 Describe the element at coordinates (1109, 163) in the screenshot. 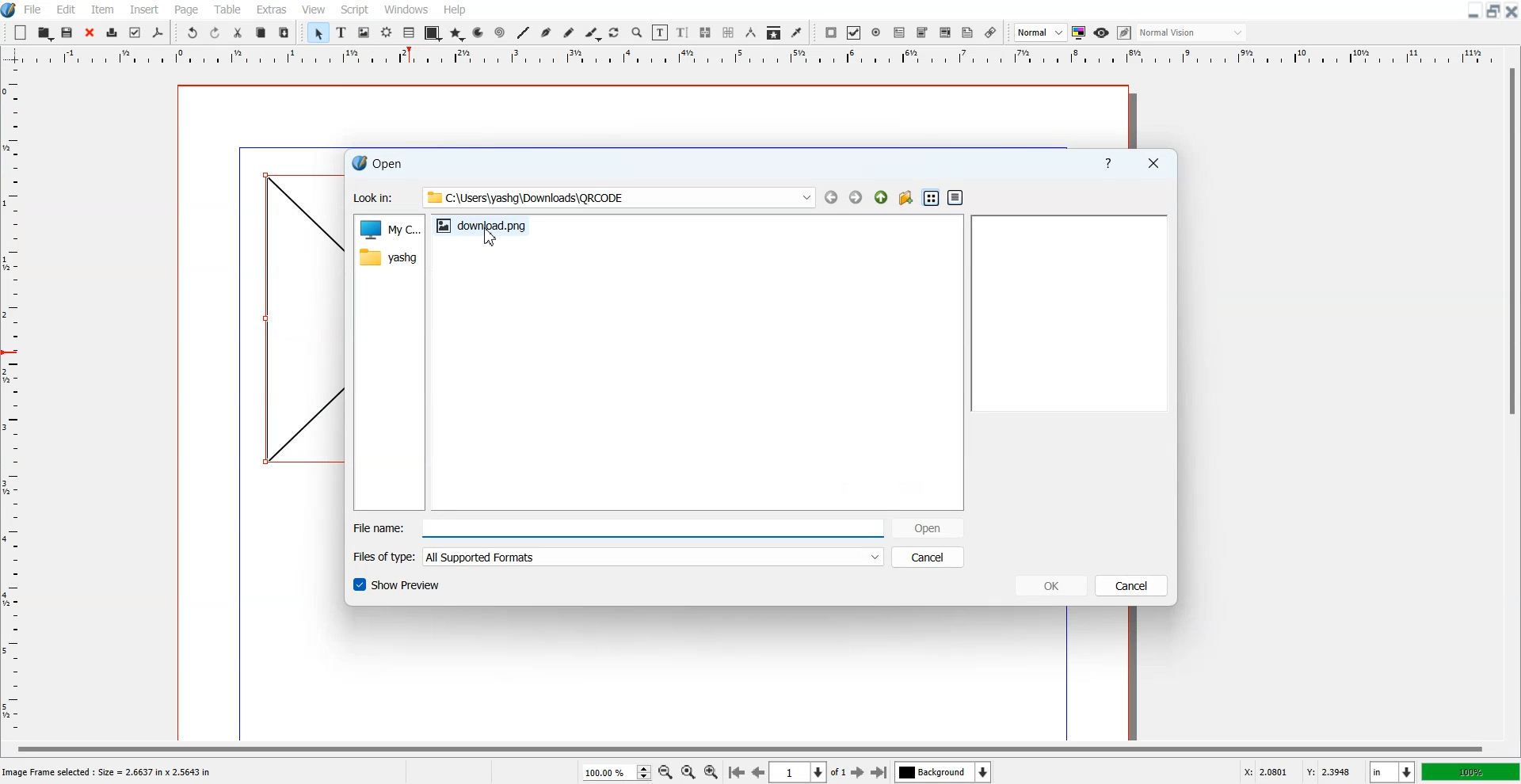

I see `Help ` at that location.